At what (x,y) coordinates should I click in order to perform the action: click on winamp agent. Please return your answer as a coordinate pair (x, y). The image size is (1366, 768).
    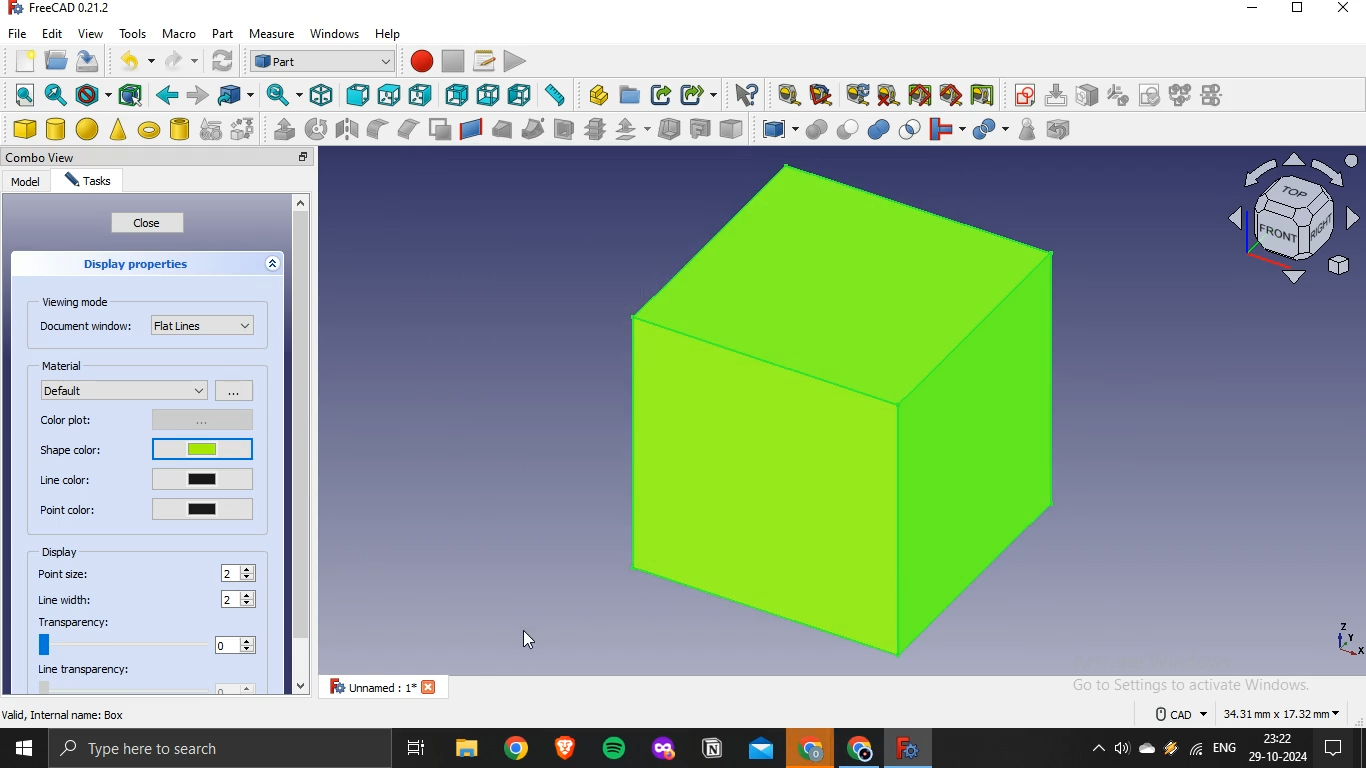
    Looking at the image, I should click on (1171, 749).